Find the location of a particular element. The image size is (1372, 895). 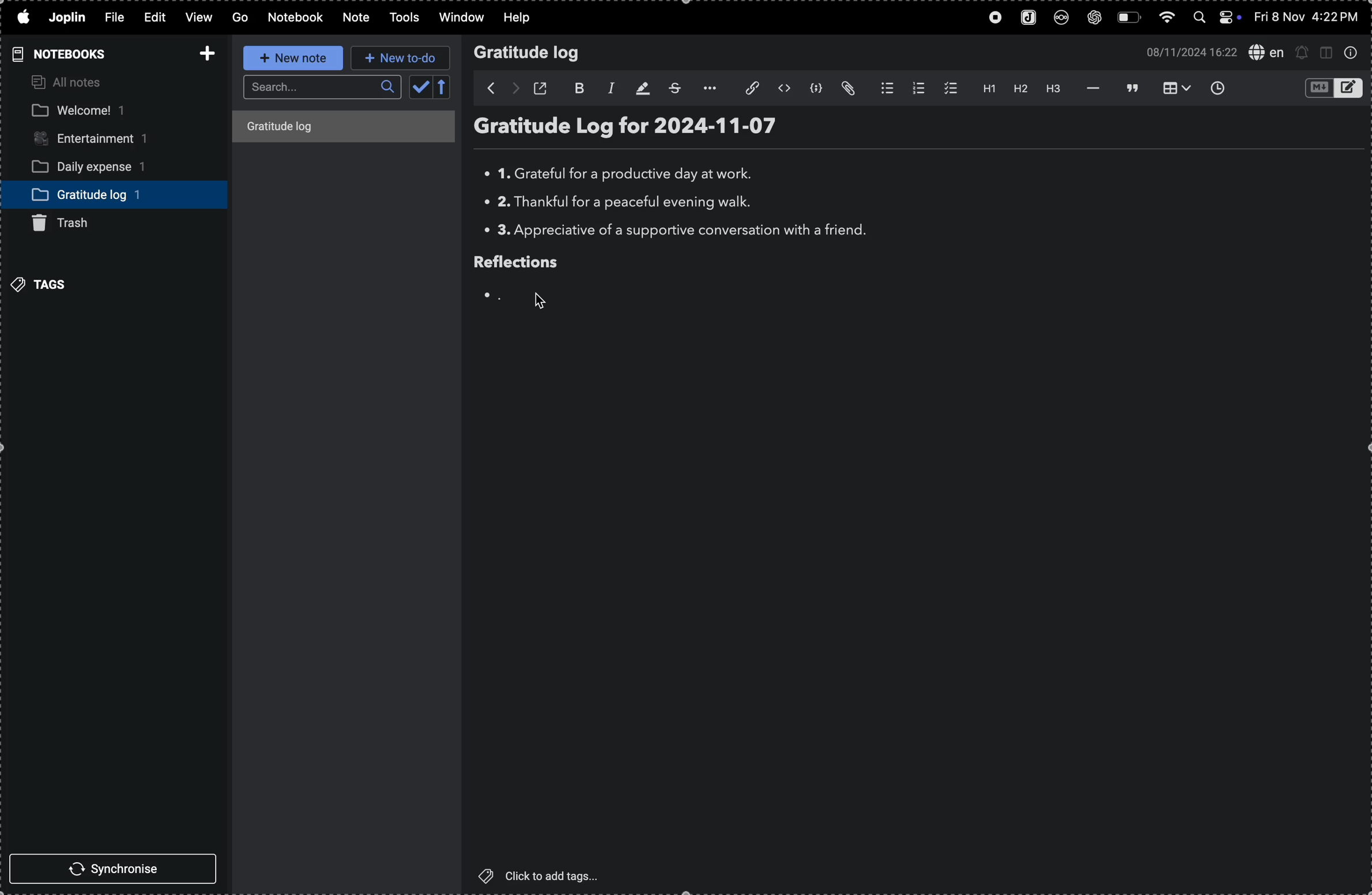

apple widgets is located at coordinates (1213, 16).